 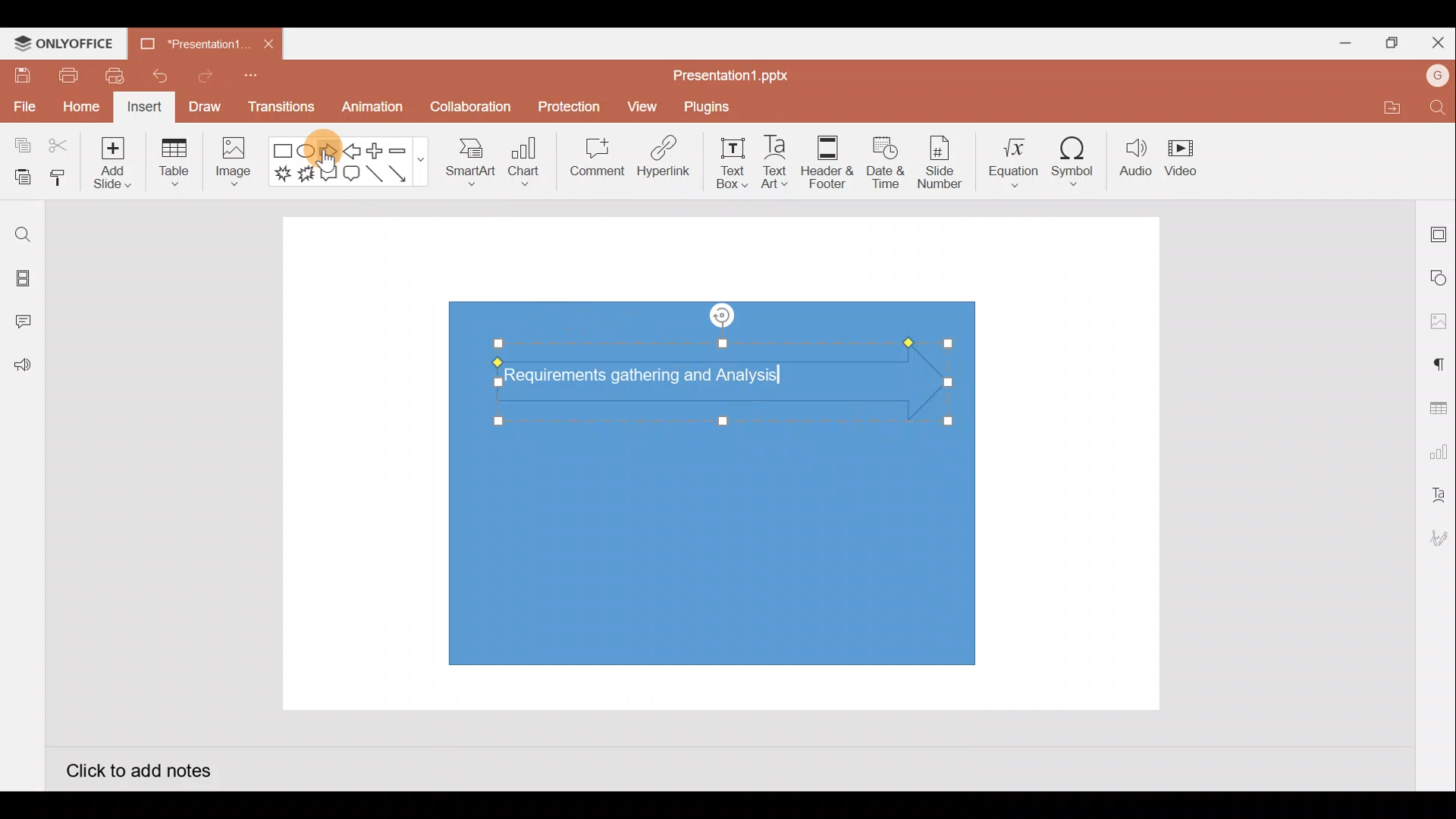 I want to click on View, so click(x=645, y=103).